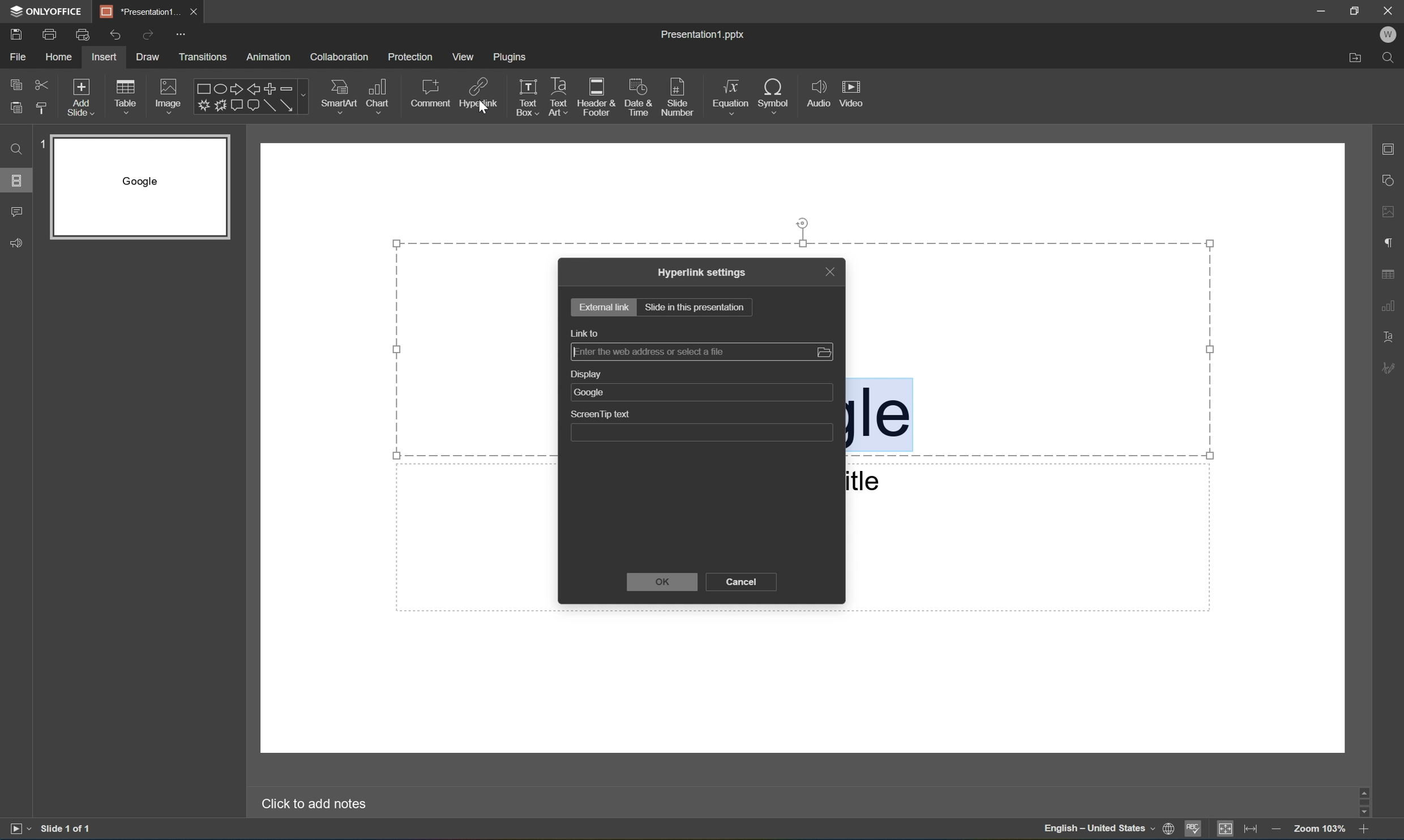  I want to click on Slide settings, so click(1390, 148).